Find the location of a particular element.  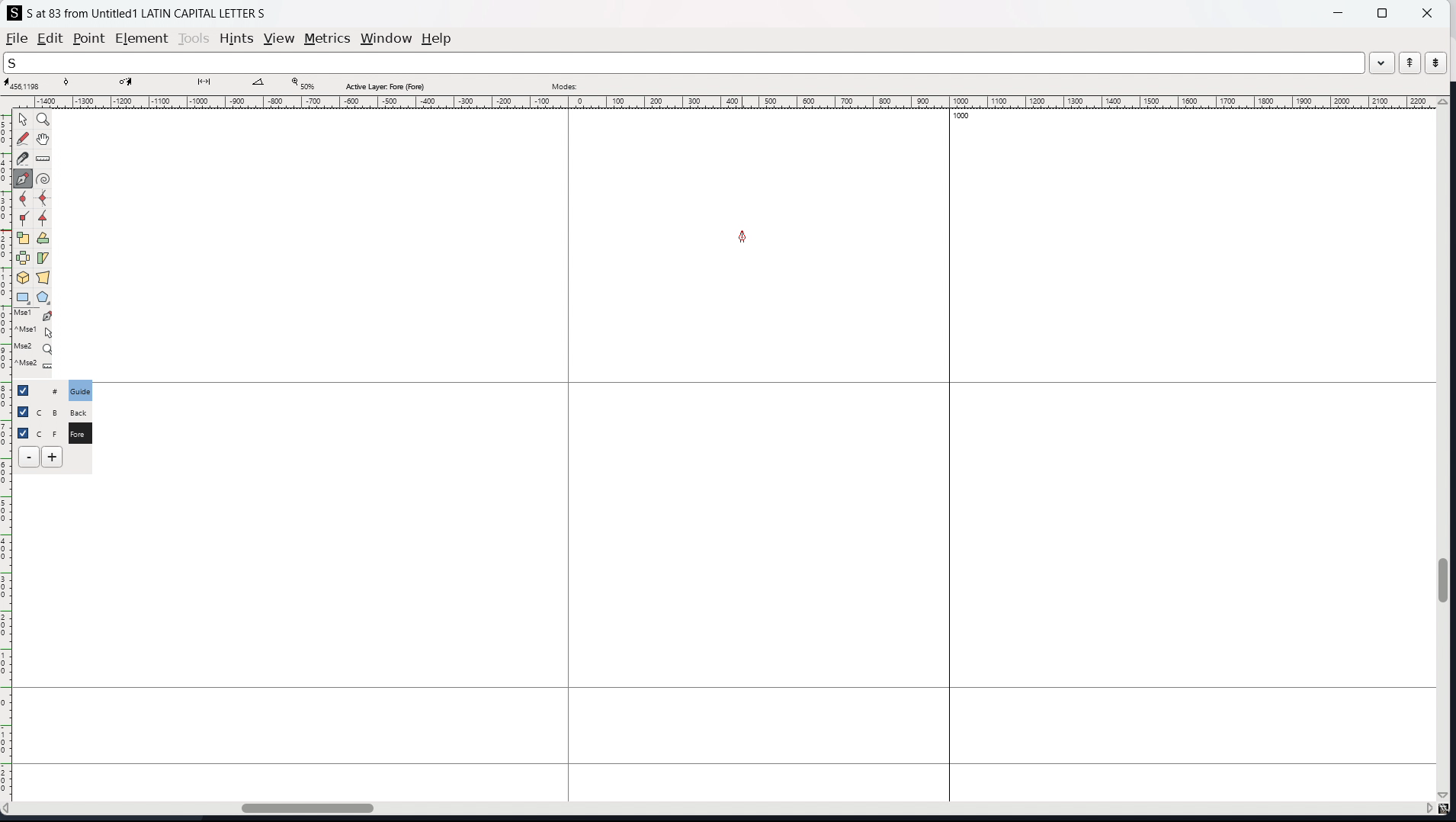

close is located at coordinates (1426, 12).